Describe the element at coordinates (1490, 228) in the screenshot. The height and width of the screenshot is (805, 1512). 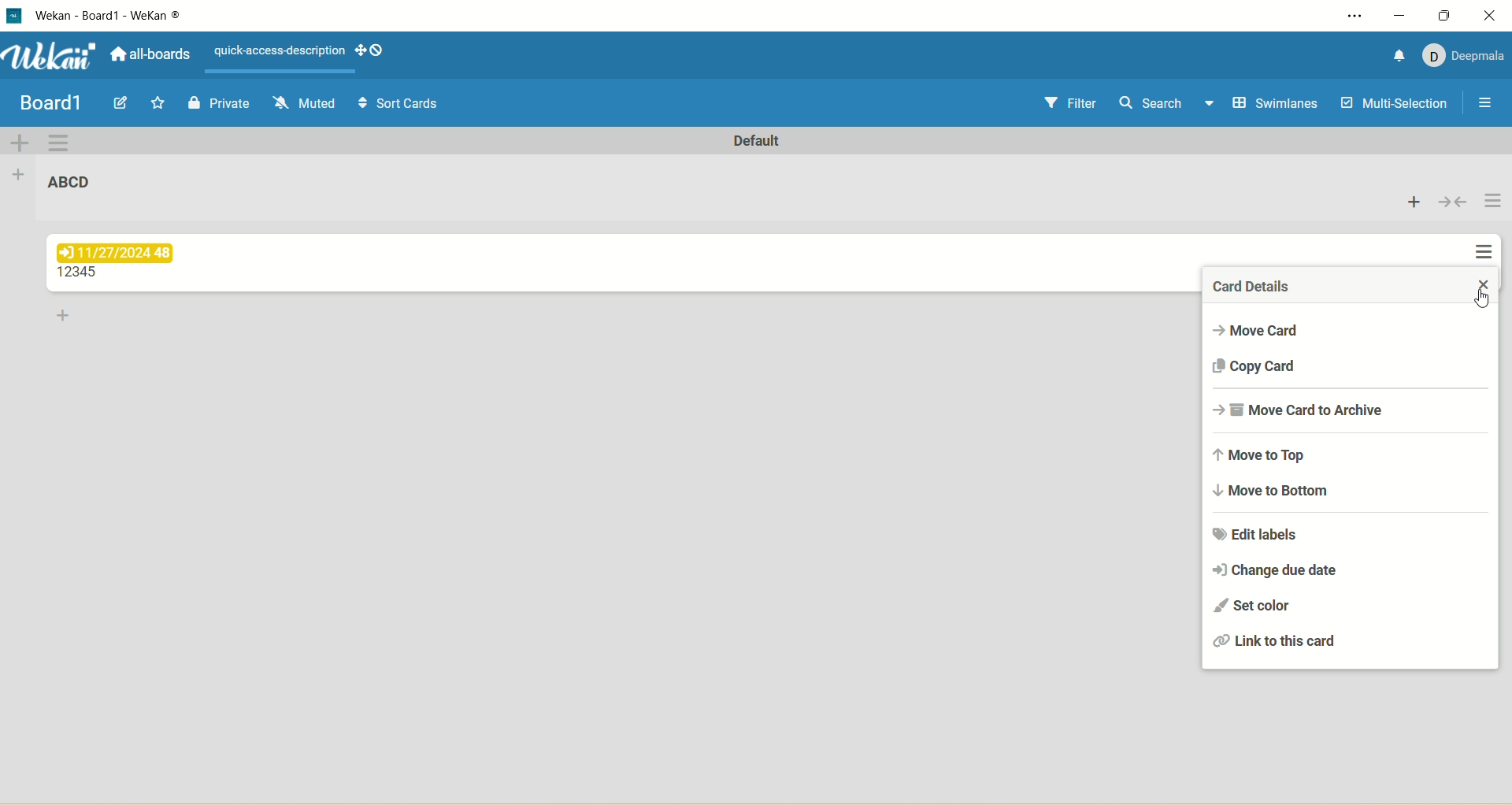
I see `actions` at that location.